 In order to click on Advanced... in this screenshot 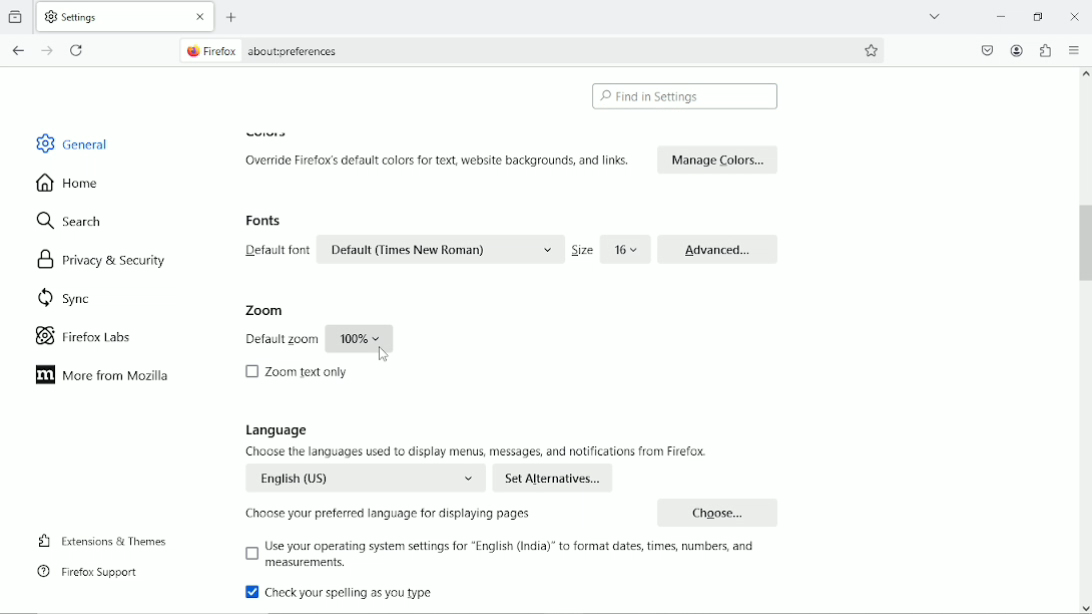, I will do `click(718, 247)`.